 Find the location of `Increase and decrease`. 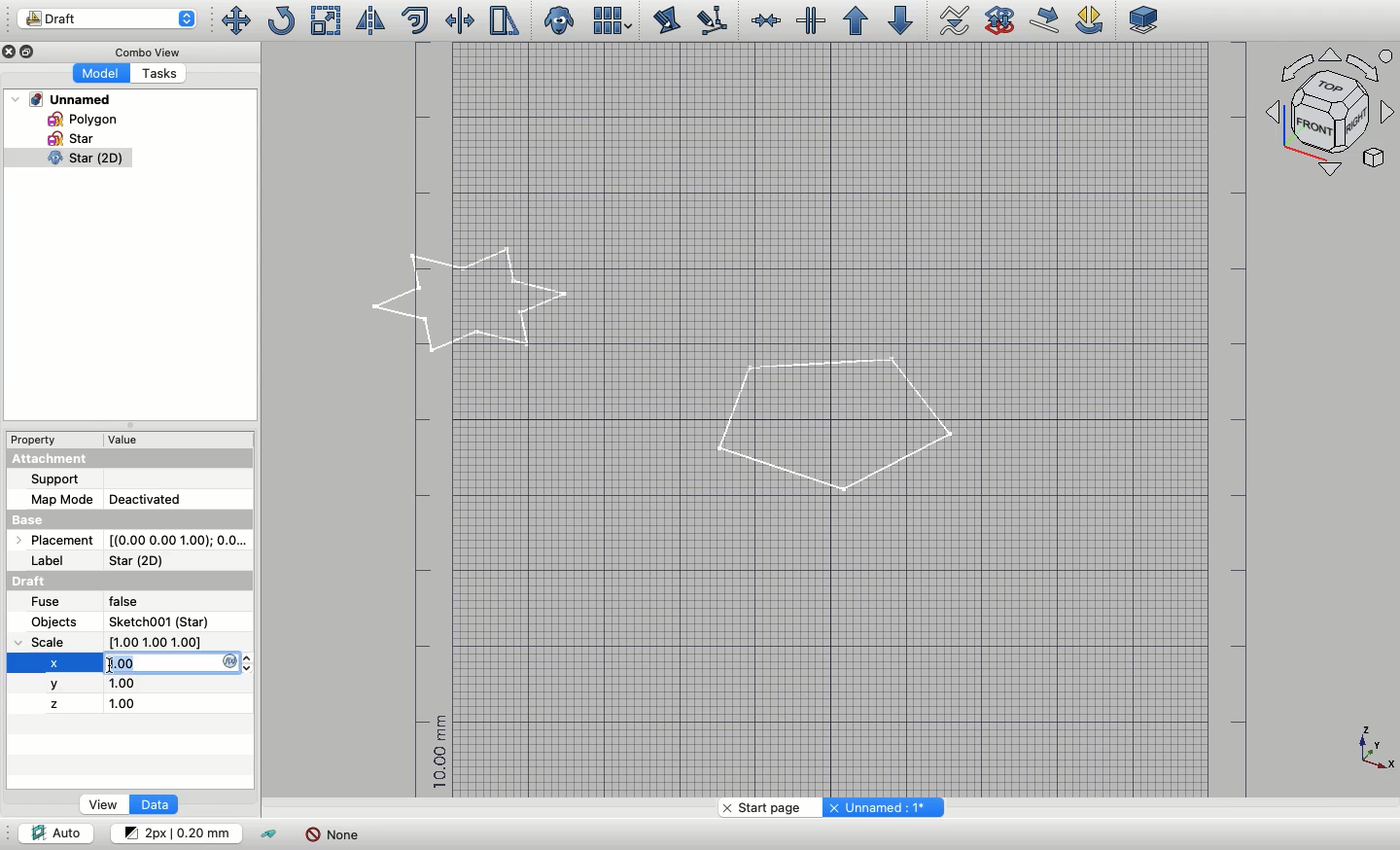

Increase and decrease is located at coordinates (252, 663).